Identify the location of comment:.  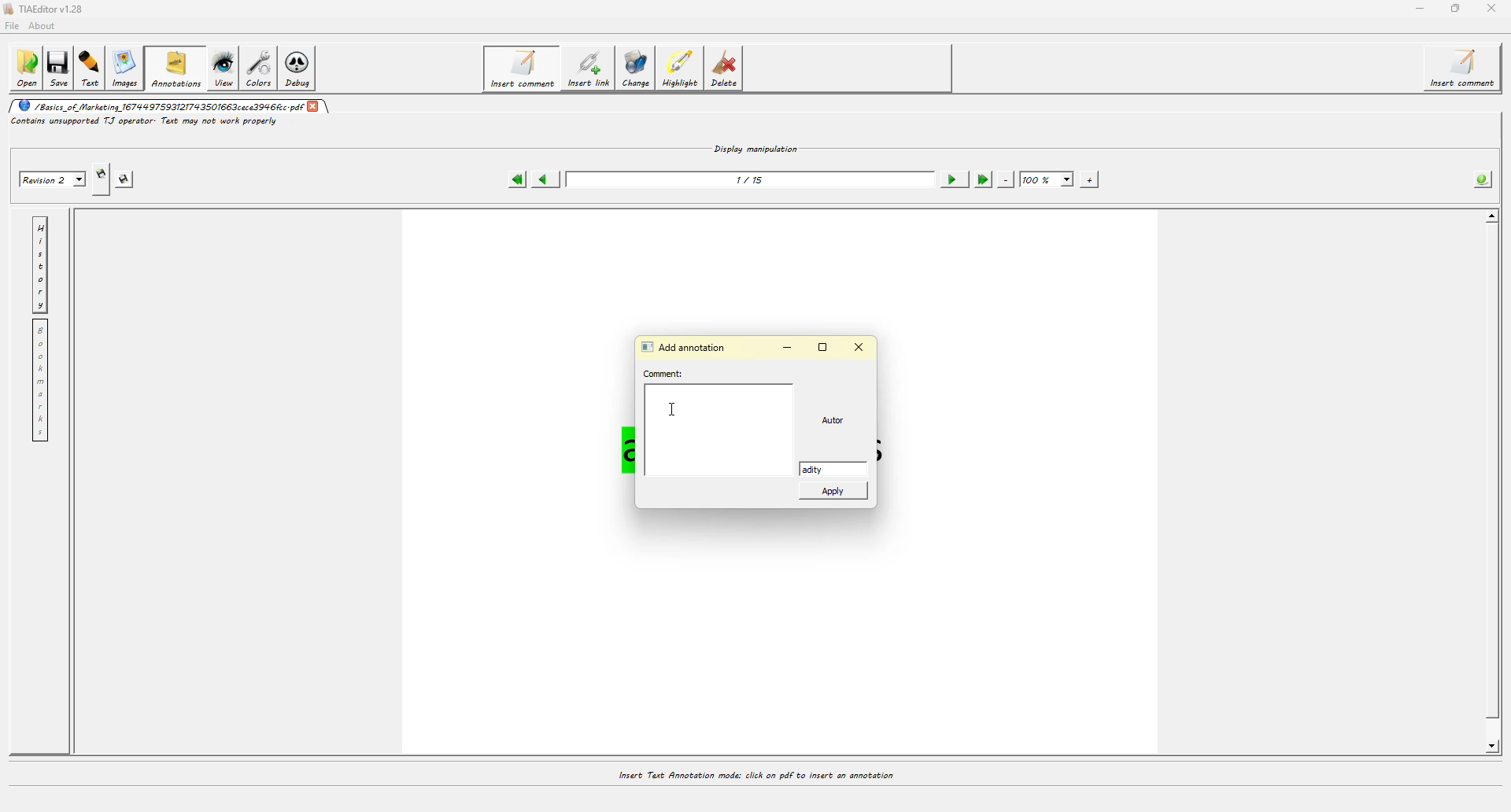
(667, 374).